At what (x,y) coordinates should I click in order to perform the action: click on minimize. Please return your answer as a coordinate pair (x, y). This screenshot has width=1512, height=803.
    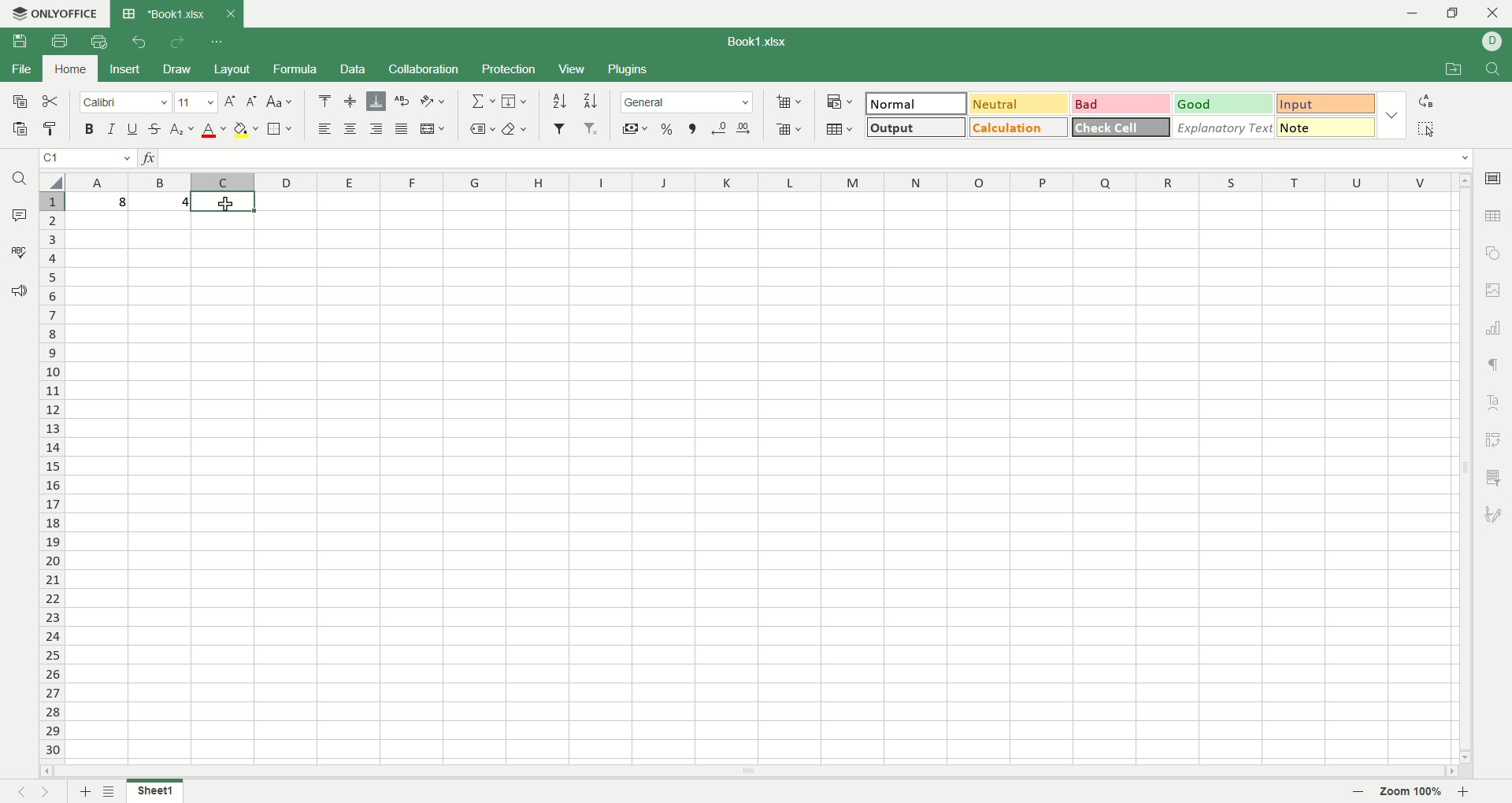
    Looking at the image, I should click on (1410, 15).